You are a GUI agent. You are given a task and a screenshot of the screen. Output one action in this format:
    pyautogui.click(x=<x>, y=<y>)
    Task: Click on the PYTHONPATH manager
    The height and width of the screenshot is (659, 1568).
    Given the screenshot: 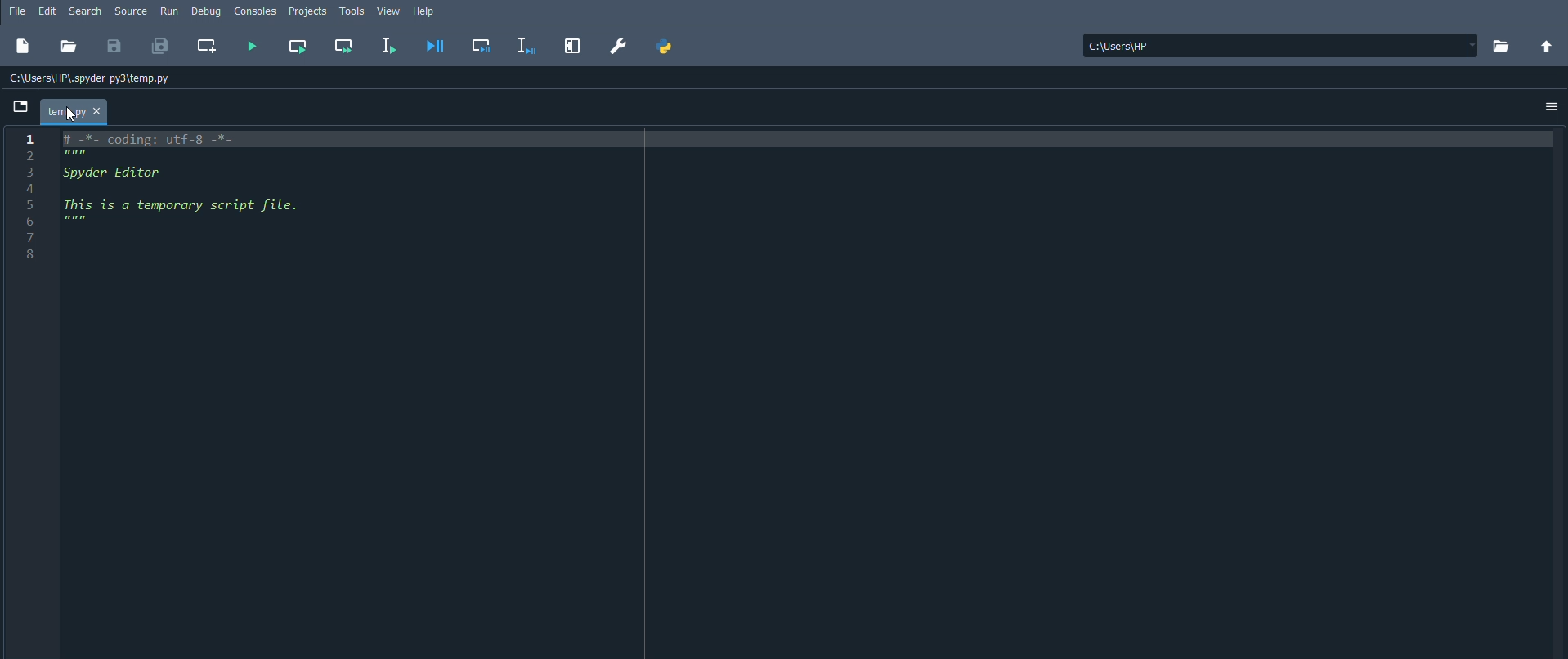 What is the action you would take?
    pyautogui.click(x=664, y=47)
    